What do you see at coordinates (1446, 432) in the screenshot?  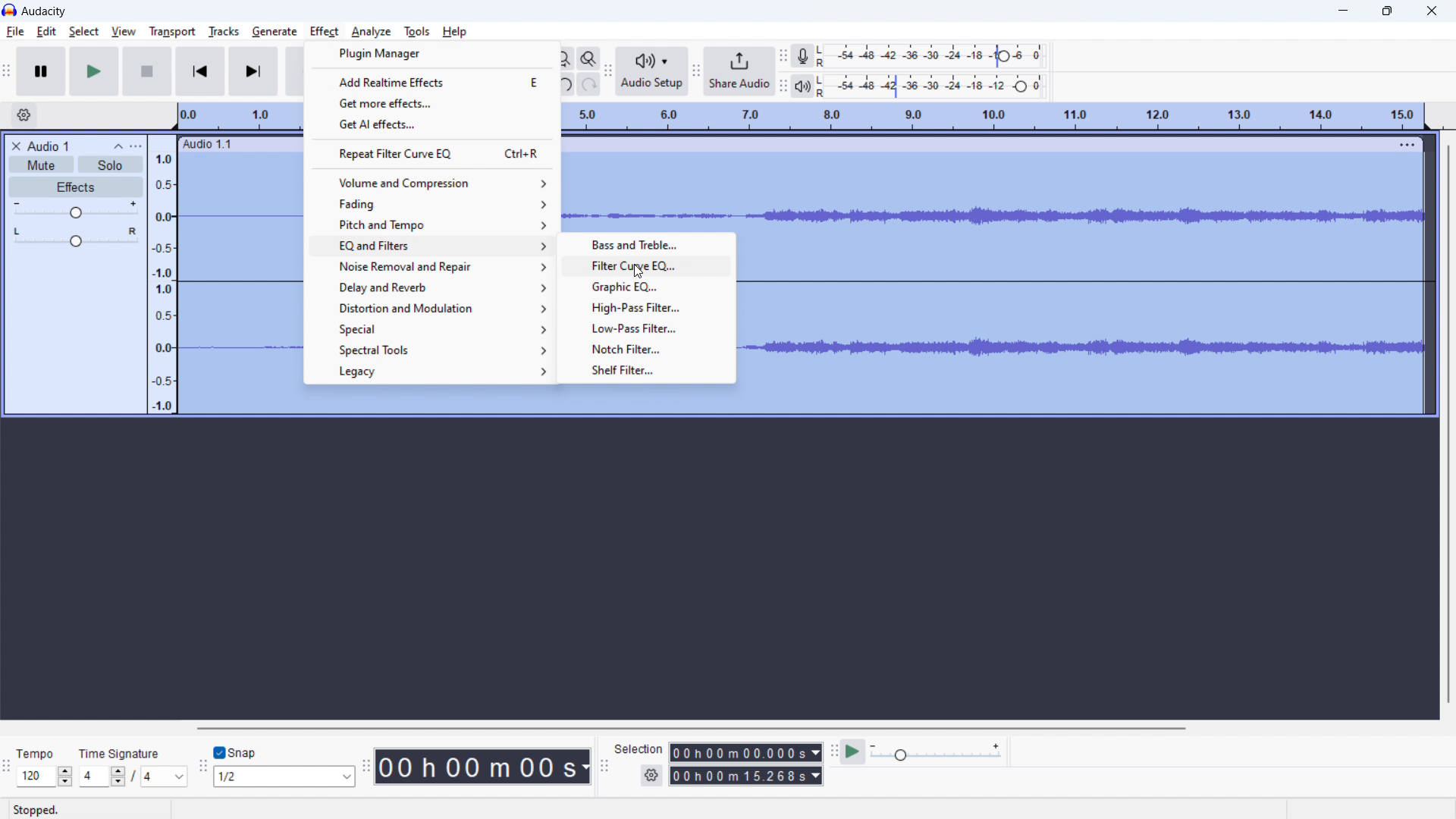 I see `vertical scrollbar` at bounding box center [1446, 432].